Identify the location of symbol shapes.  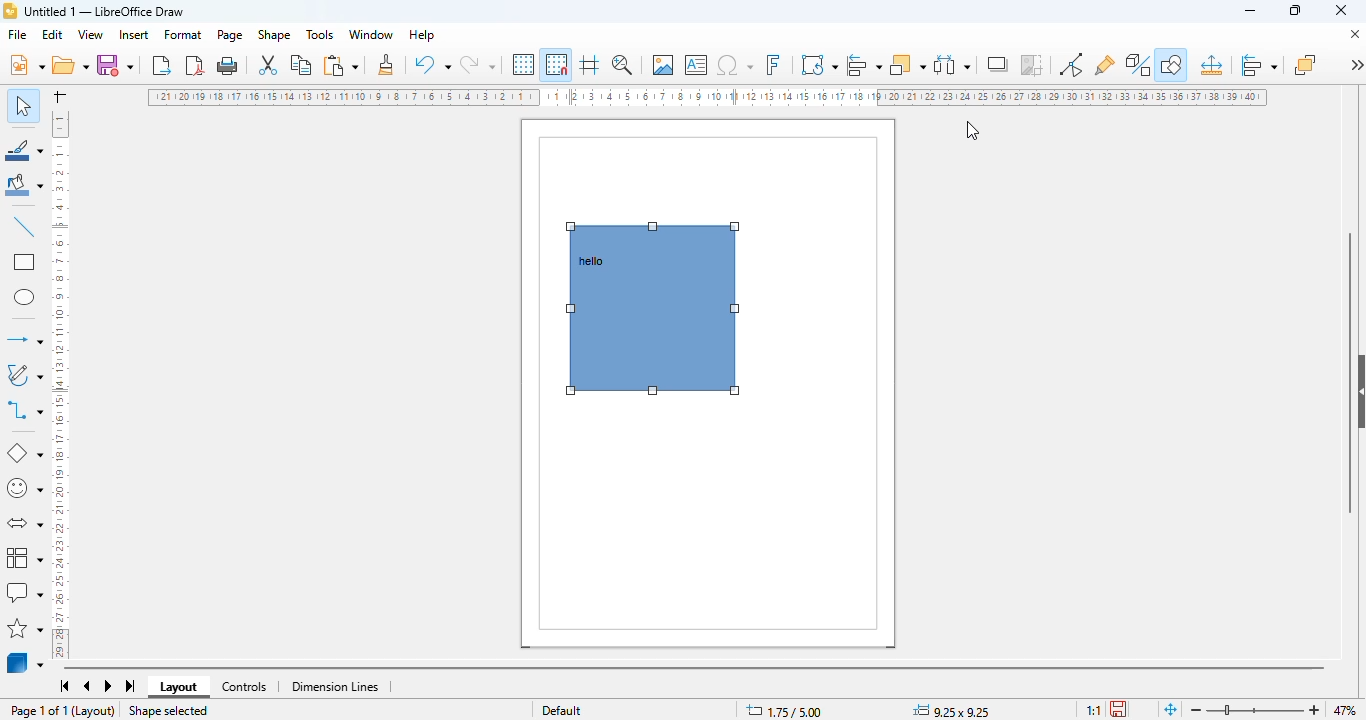
(24, 489).